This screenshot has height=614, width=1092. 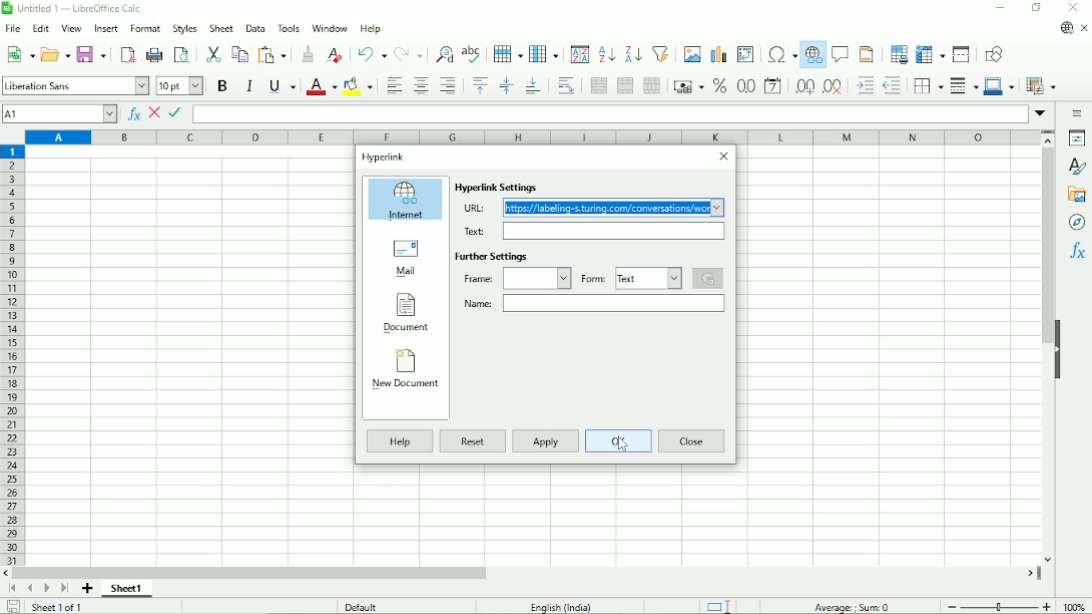 I want to click on Window, so click(x=330, y=28).